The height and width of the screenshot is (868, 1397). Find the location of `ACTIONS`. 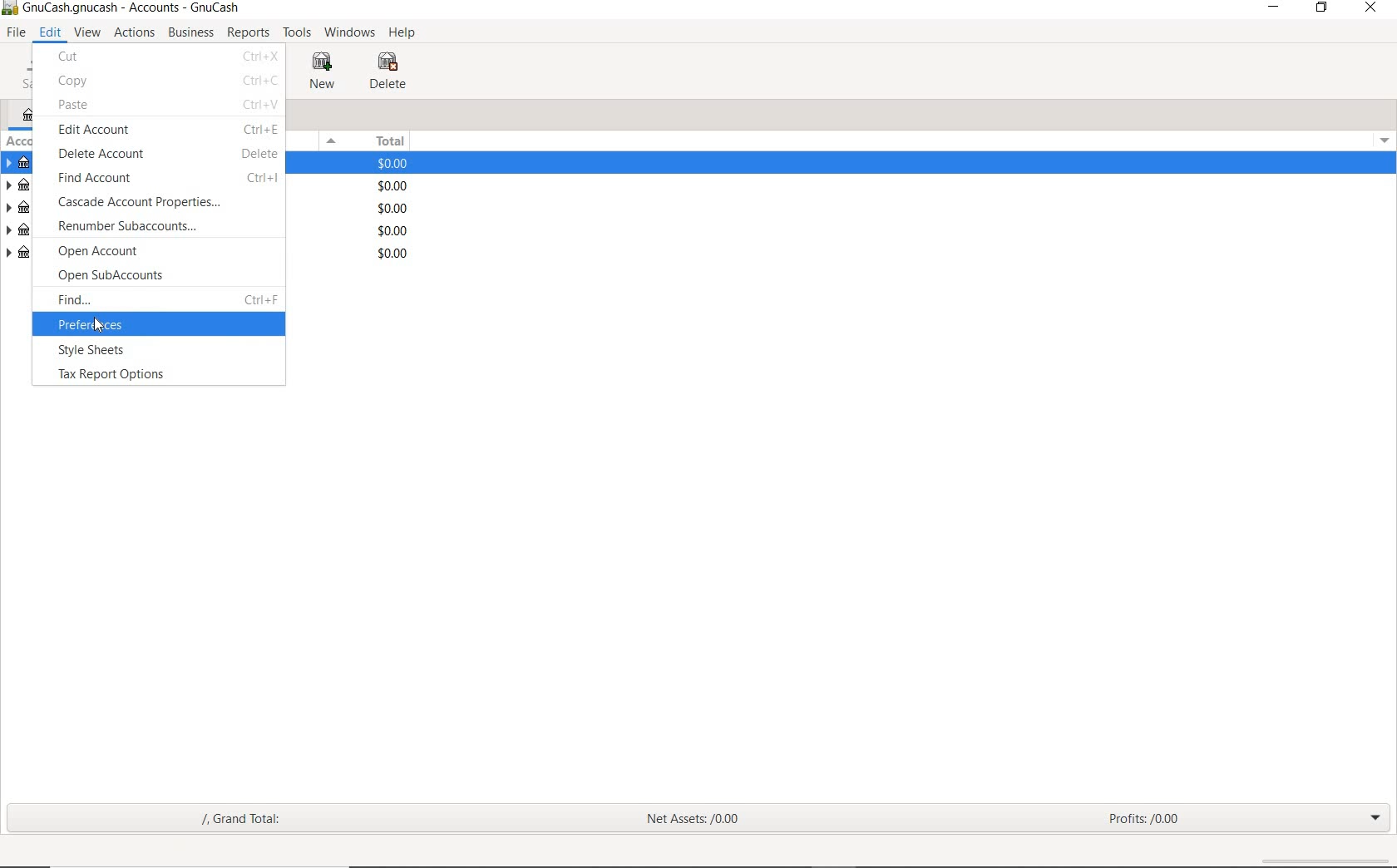

ACTIONS is located at coordinates (134, 33).